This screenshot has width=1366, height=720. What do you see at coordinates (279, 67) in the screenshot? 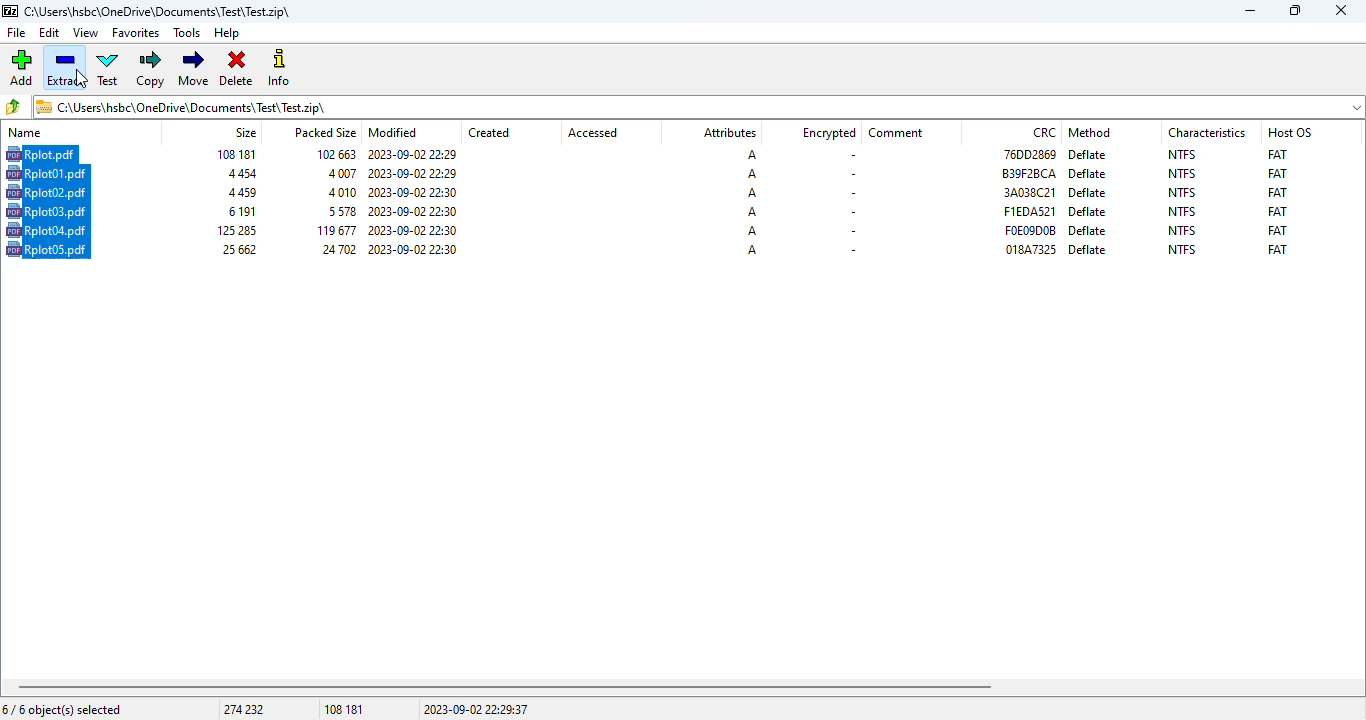
I see `info` at bounding box center [279, 67].